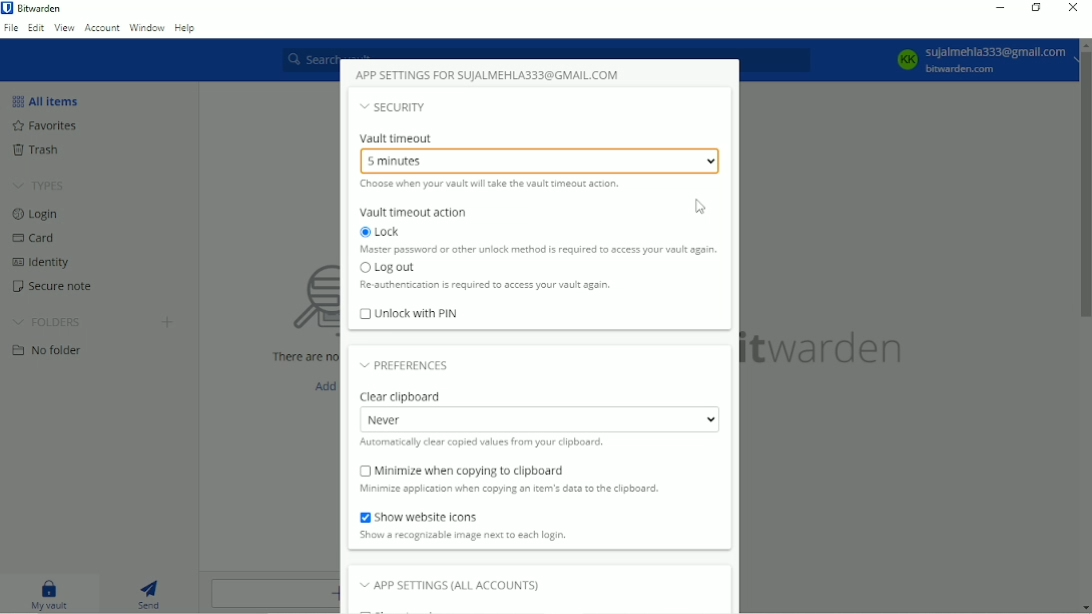  I want to click on Close, so click(1074, 9).